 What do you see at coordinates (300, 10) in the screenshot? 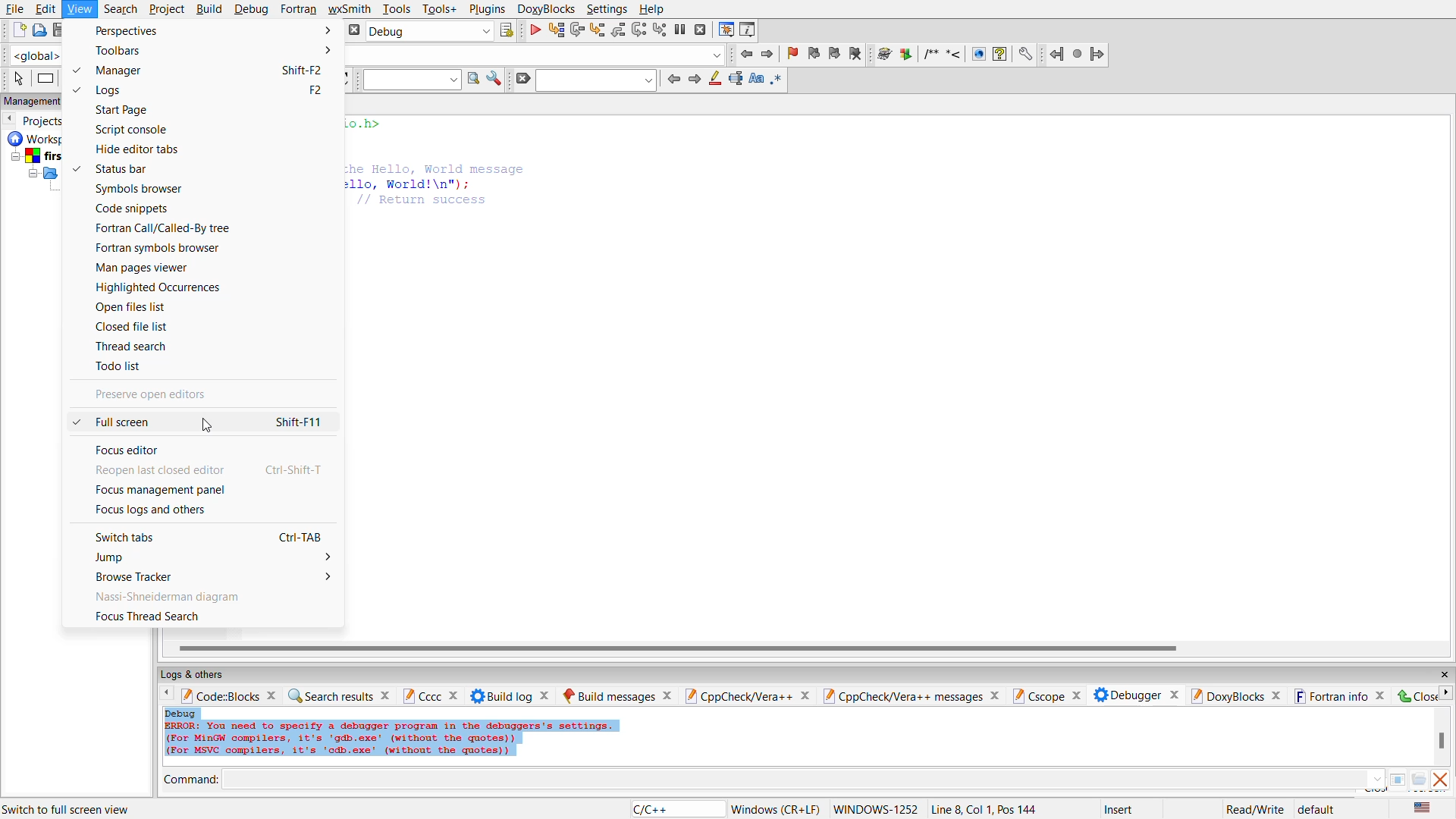
I see `fortran` at bounding box center [300, 10].